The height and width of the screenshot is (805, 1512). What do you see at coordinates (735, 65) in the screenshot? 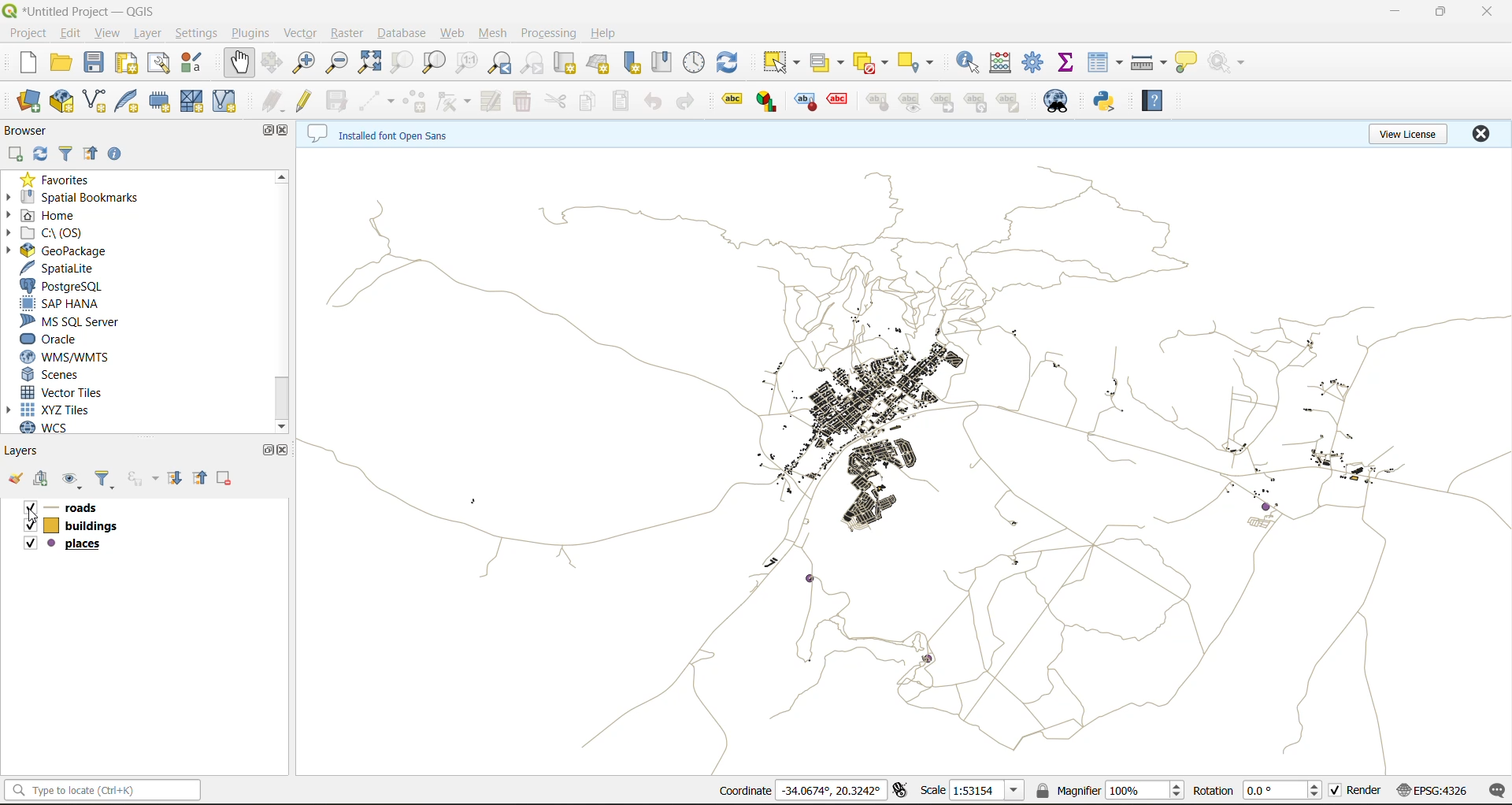
I see `refresh` at bounding box center [735, 65].